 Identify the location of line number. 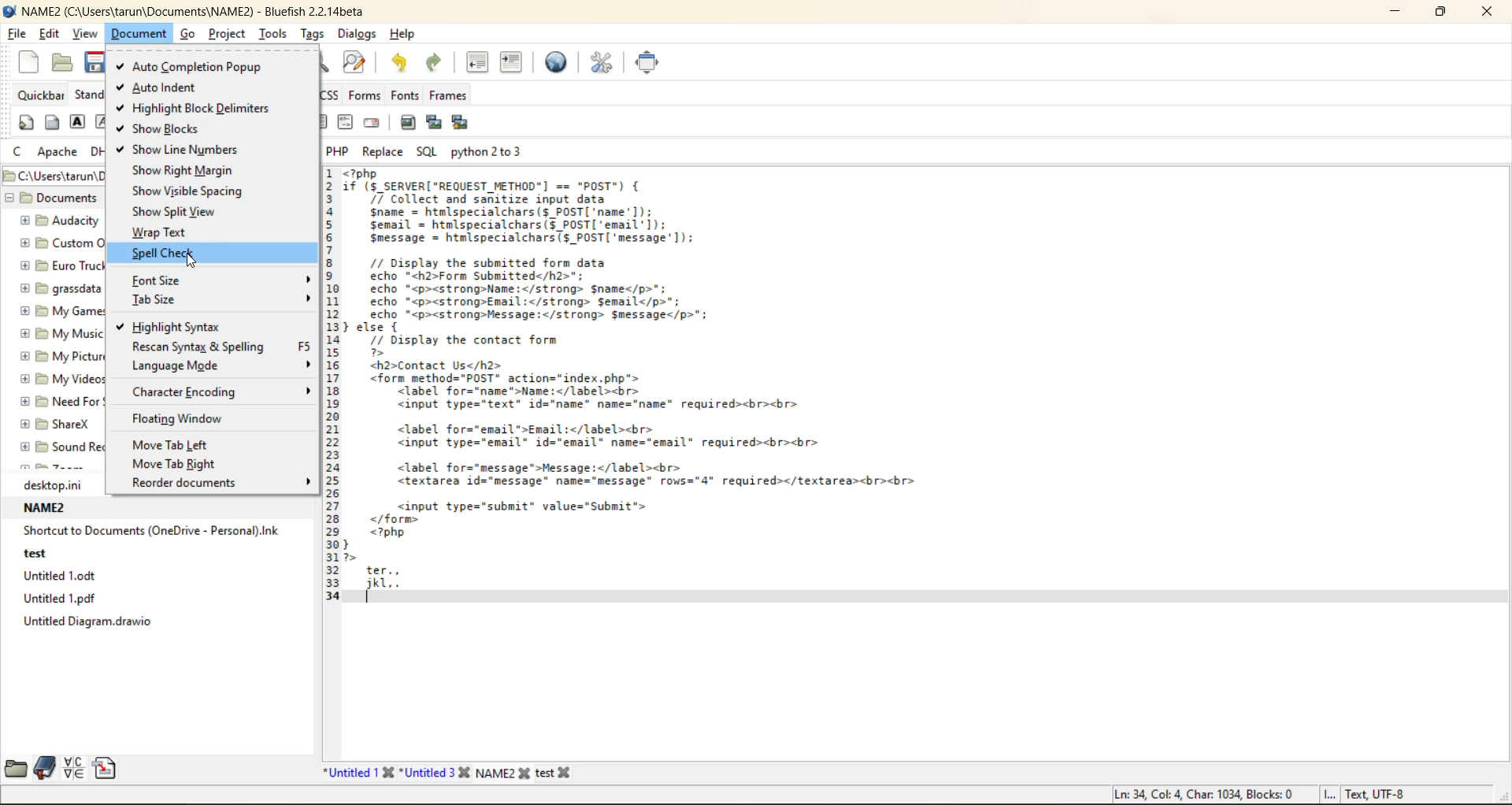
(330, 389).